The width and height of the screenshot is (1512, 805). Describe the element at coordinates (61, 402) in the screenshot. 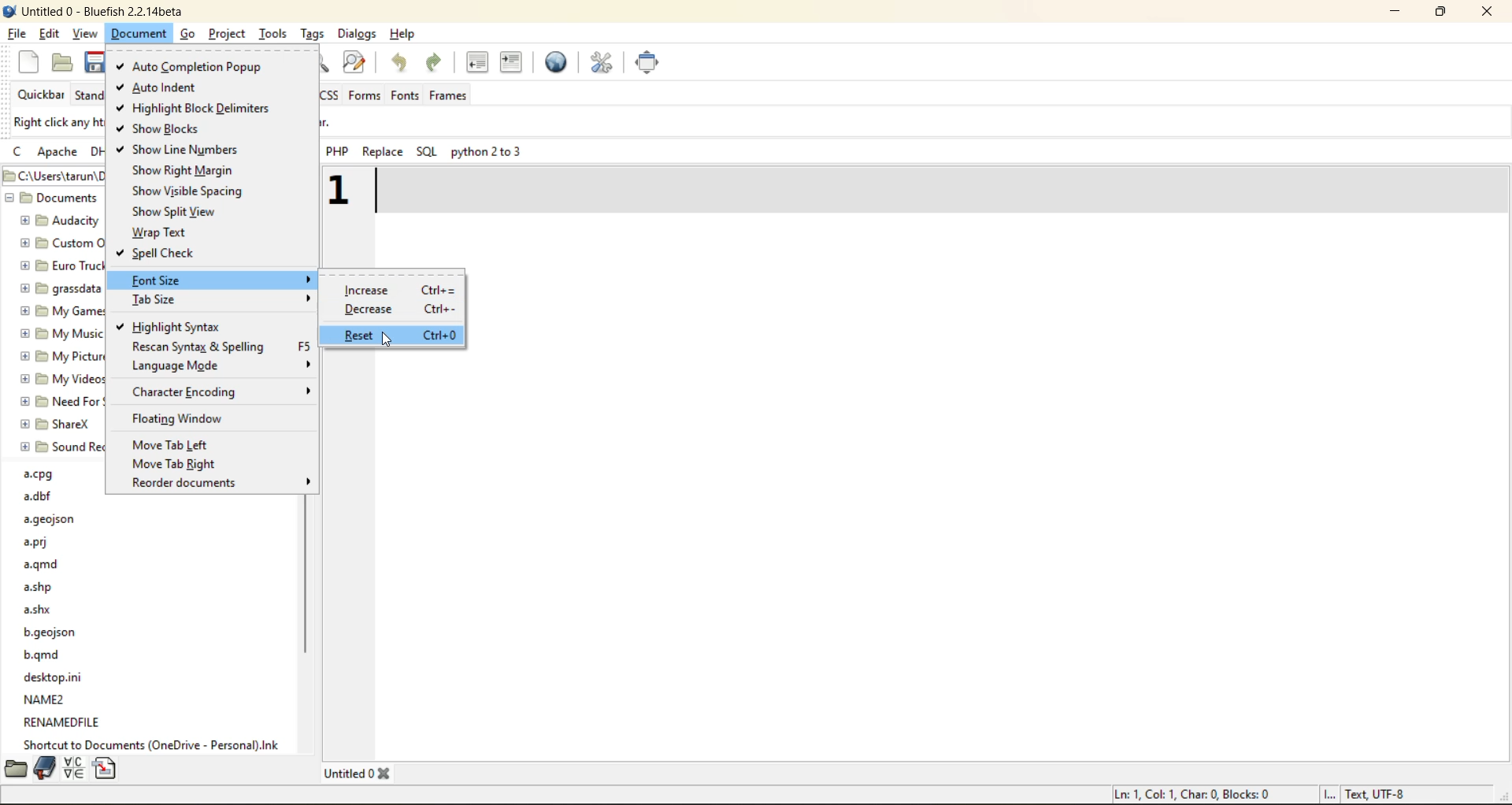

I see `need for speed (TM) unbound` at that location.